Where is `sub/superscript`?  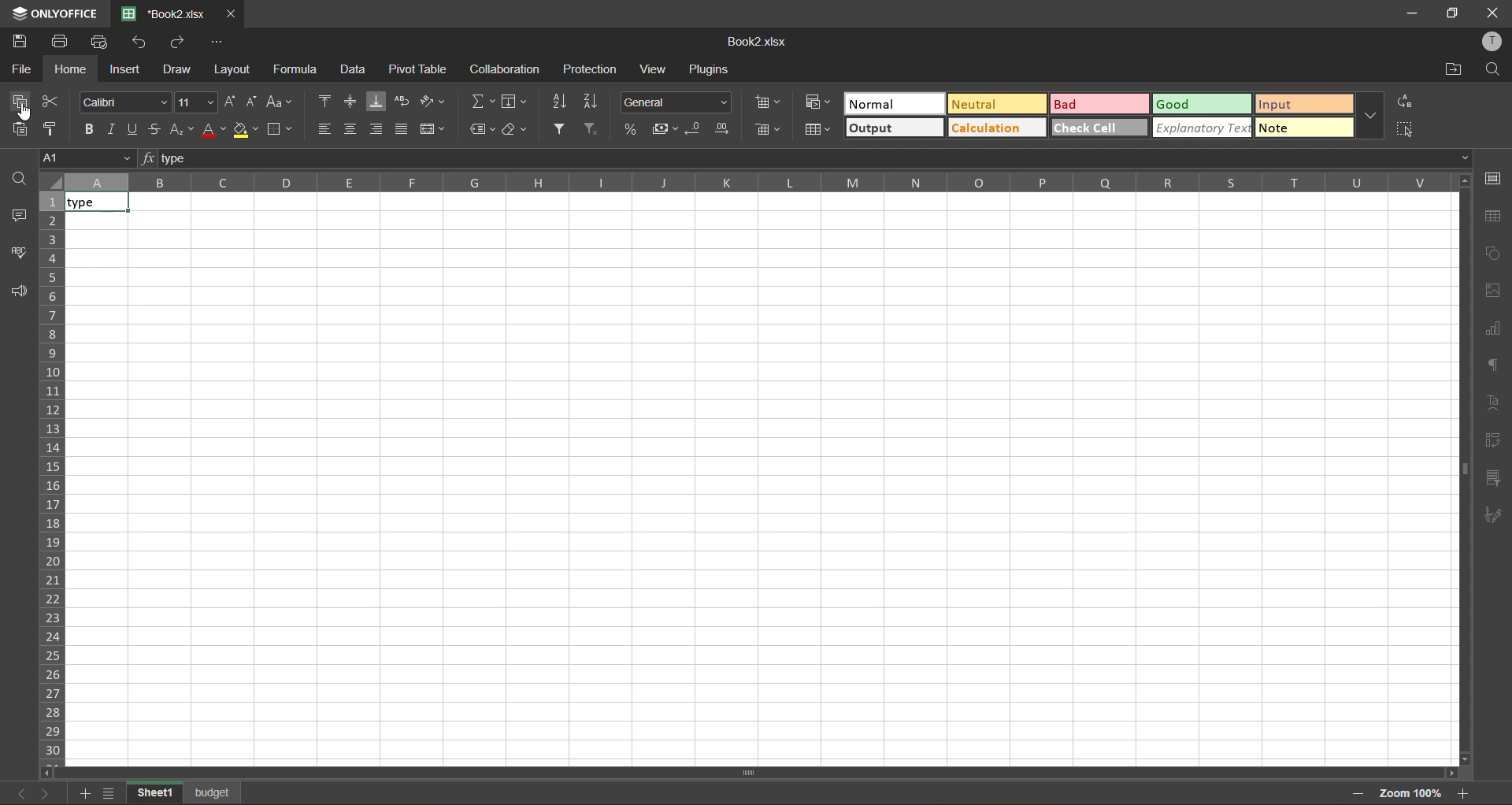
sub/superscript is located at coordinates (183, 131).